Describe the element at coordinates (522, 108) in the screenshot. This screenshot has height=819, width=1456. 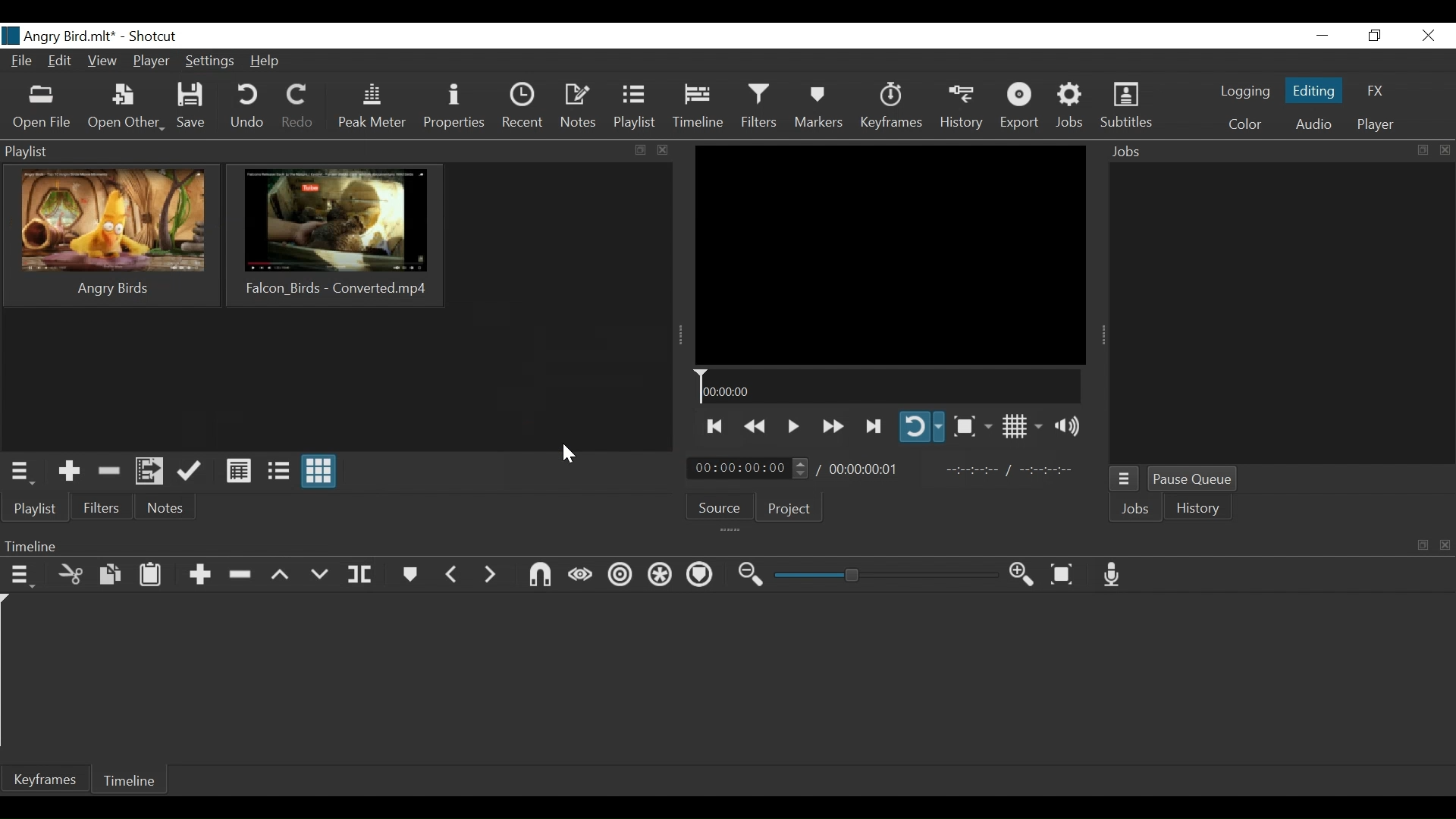
I see `Recent` at that location.